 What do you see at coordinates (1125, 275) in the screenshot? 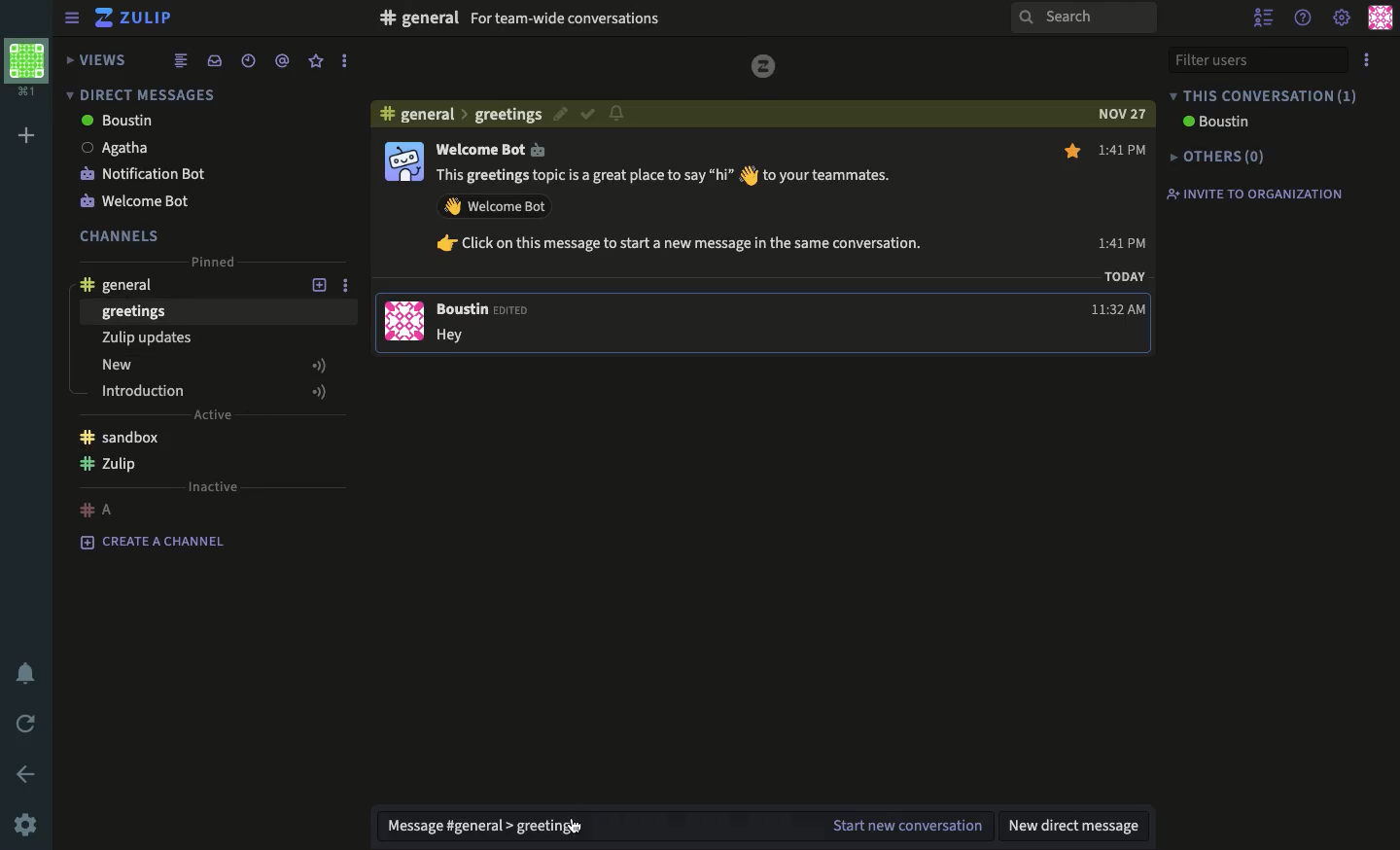
I see `TODAY` at bounding box center [1125, 275].